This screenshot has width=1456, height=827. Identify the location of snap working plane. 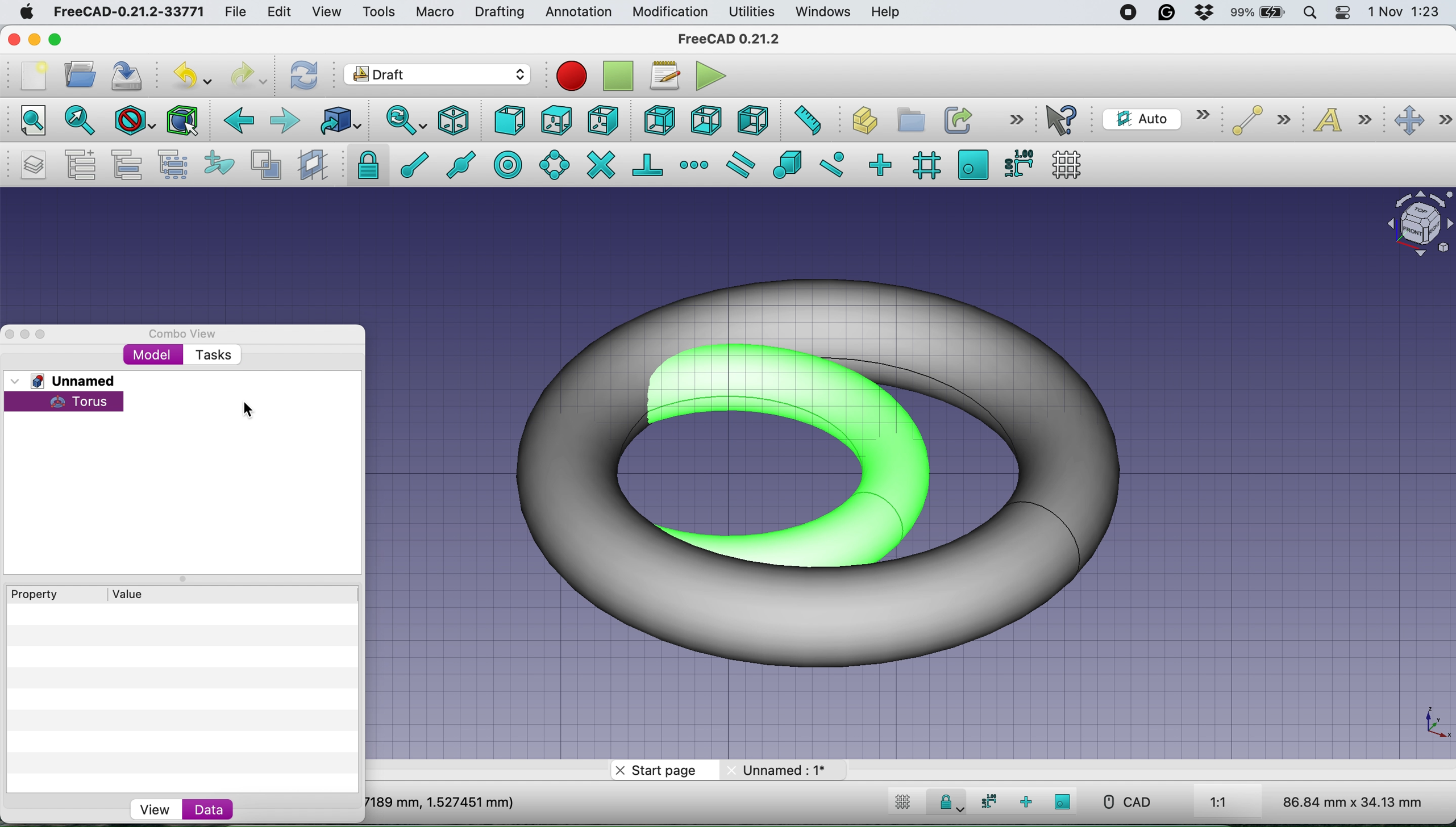
(973, 164).